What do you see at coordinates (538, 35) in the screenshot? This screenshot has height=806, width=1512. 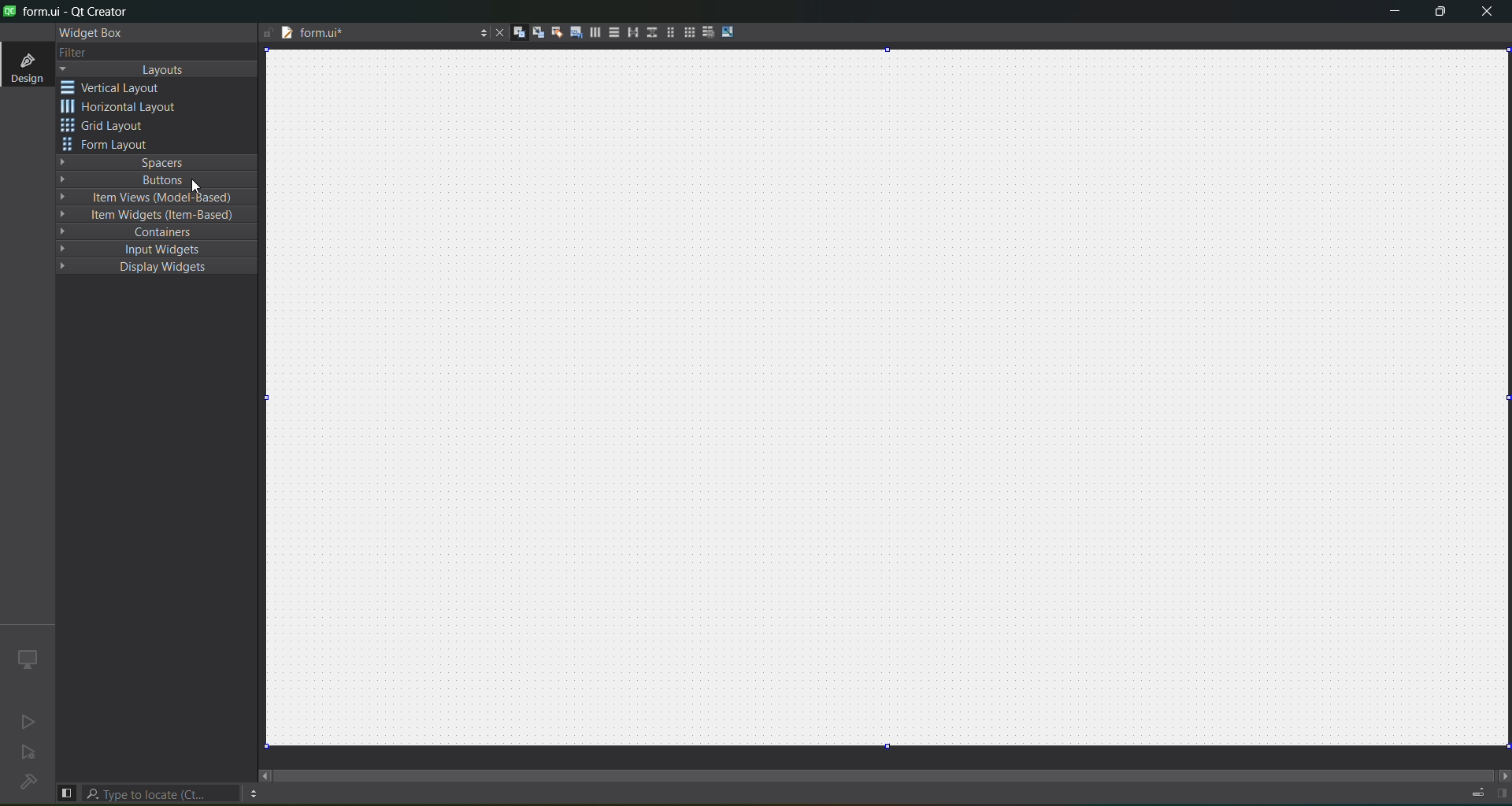 I see `edit signals` at bounding box center [538, 35].